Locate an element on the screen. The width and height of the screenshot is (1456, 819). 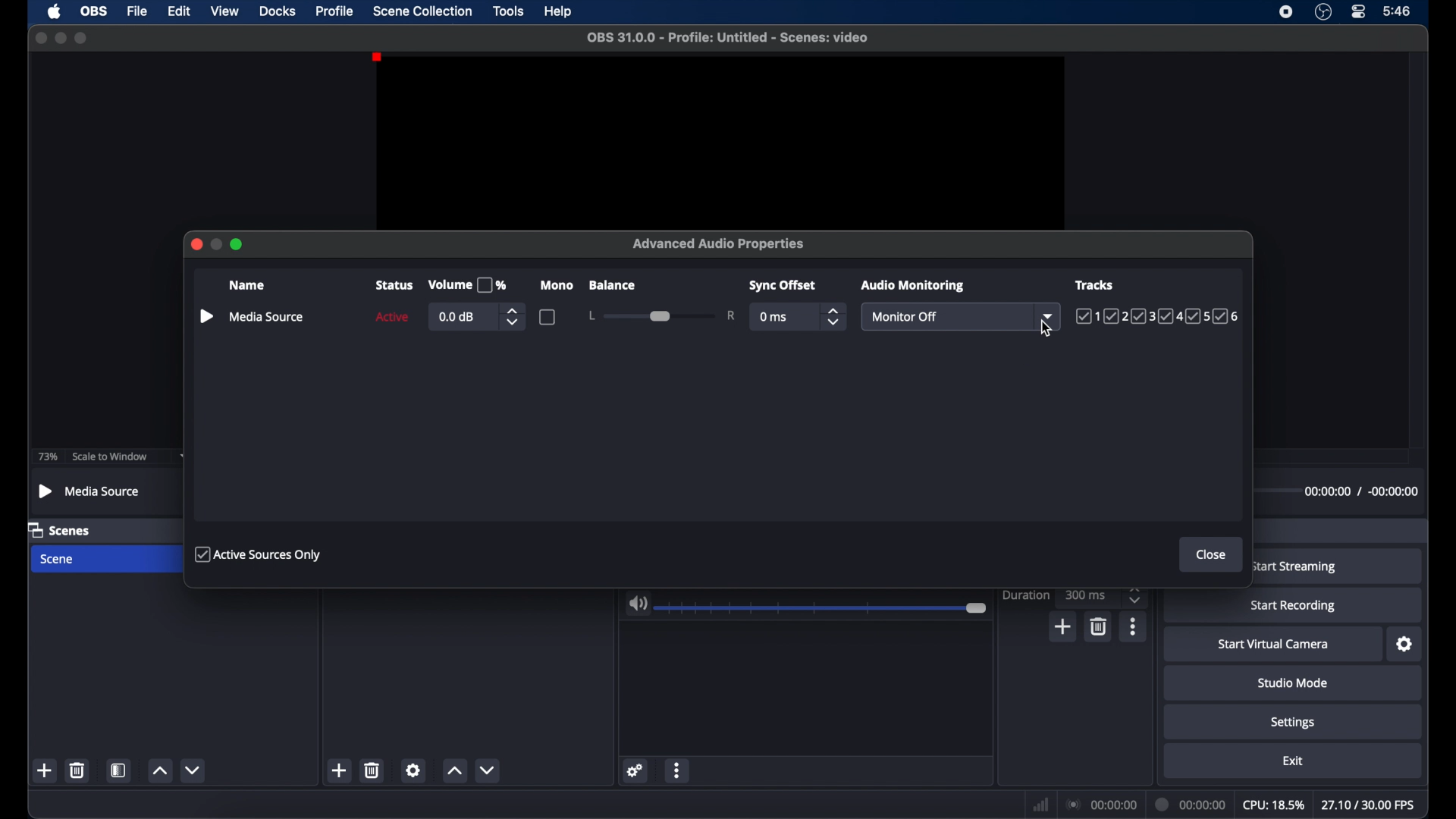
close is located at coordinates (1212, 554).